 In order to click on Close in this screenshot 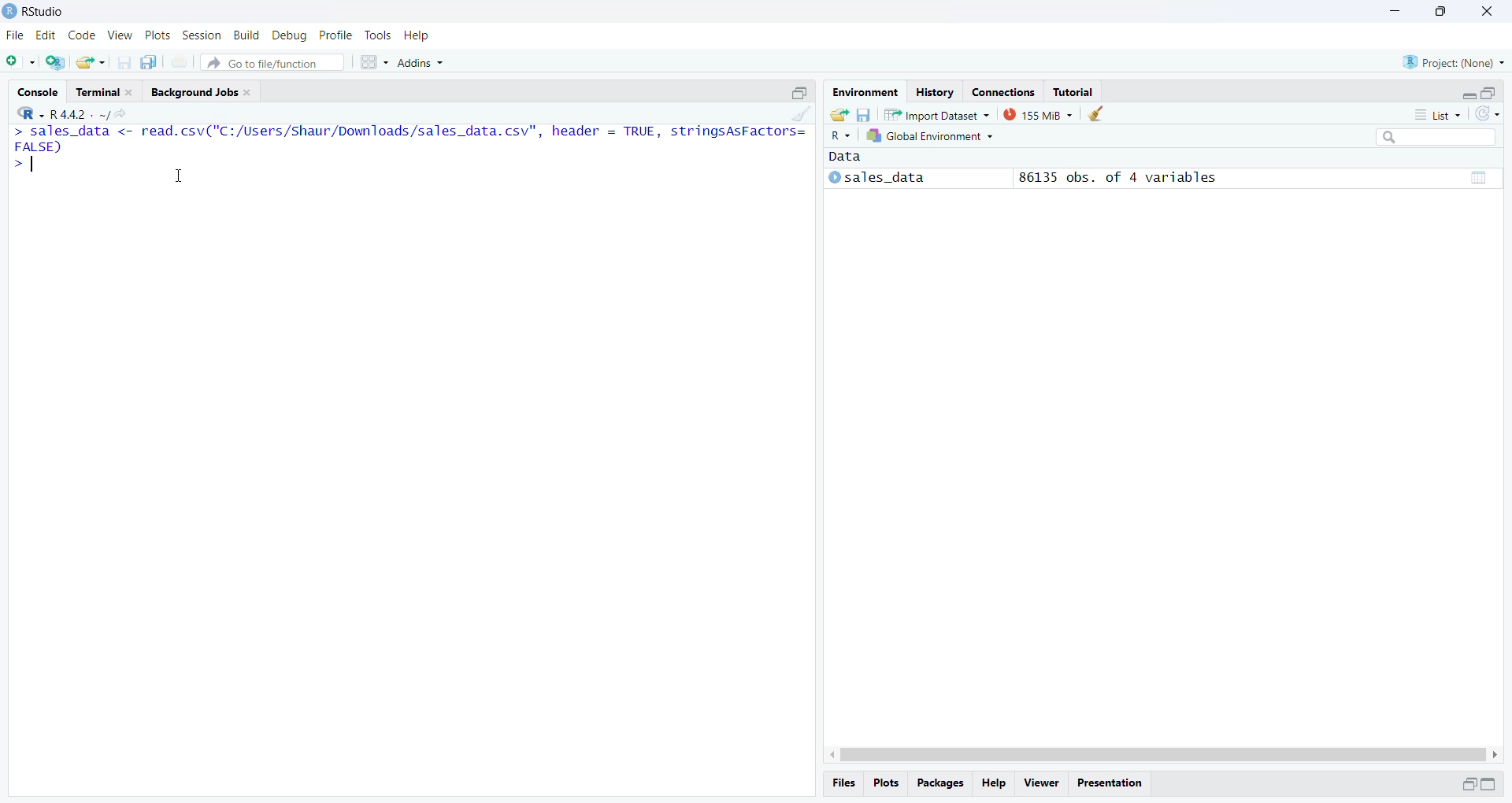, I will do `click(1480, 13)`.